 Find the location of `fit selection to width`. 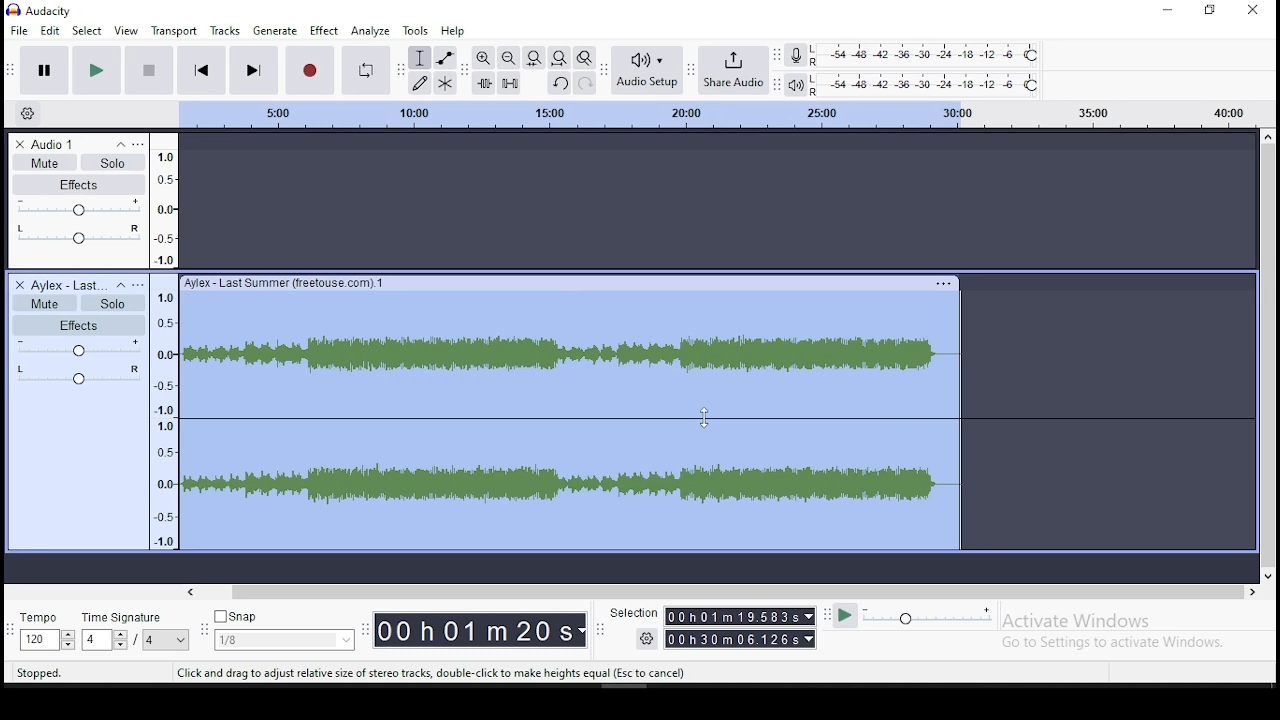

fit selection to width is located at coordinates (533, 57).